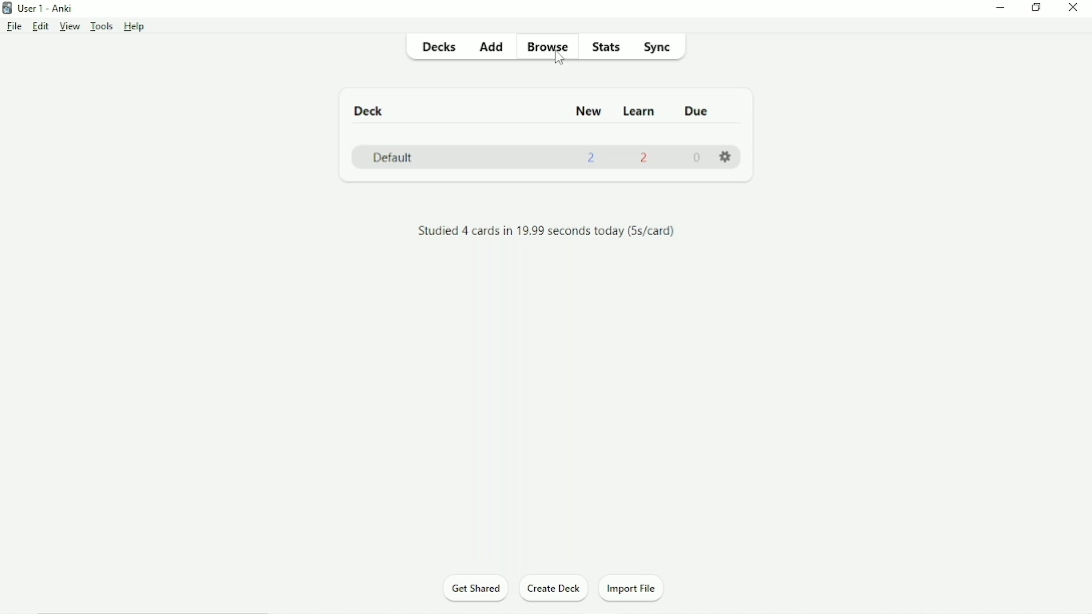 The width and height of the screenshot is (1092, 614). Describe the element at coordinates (592, 157) in the screenshot. I see `2` at that location.